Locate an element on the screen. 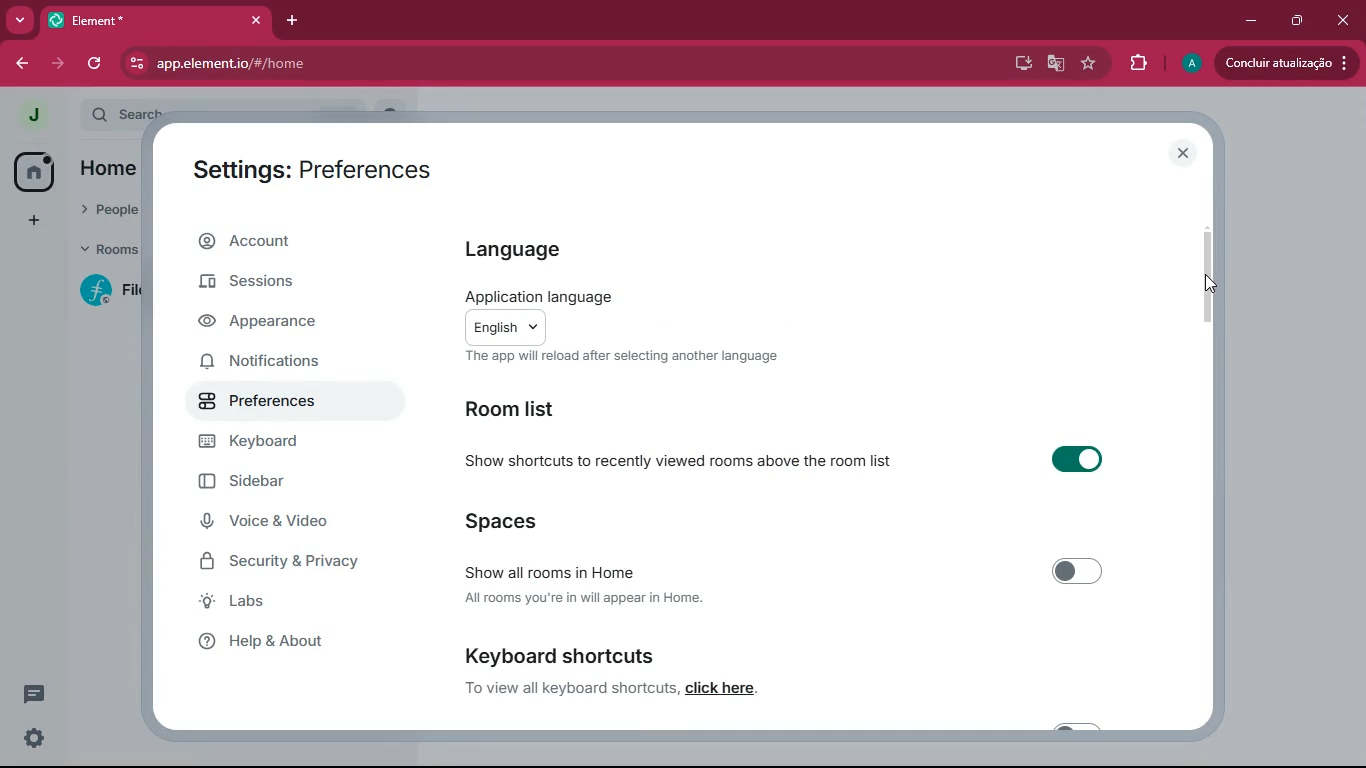 The width and height of the screenshot is (1366, 768). app.element.io/#/home is located at coordinates (342, 62).